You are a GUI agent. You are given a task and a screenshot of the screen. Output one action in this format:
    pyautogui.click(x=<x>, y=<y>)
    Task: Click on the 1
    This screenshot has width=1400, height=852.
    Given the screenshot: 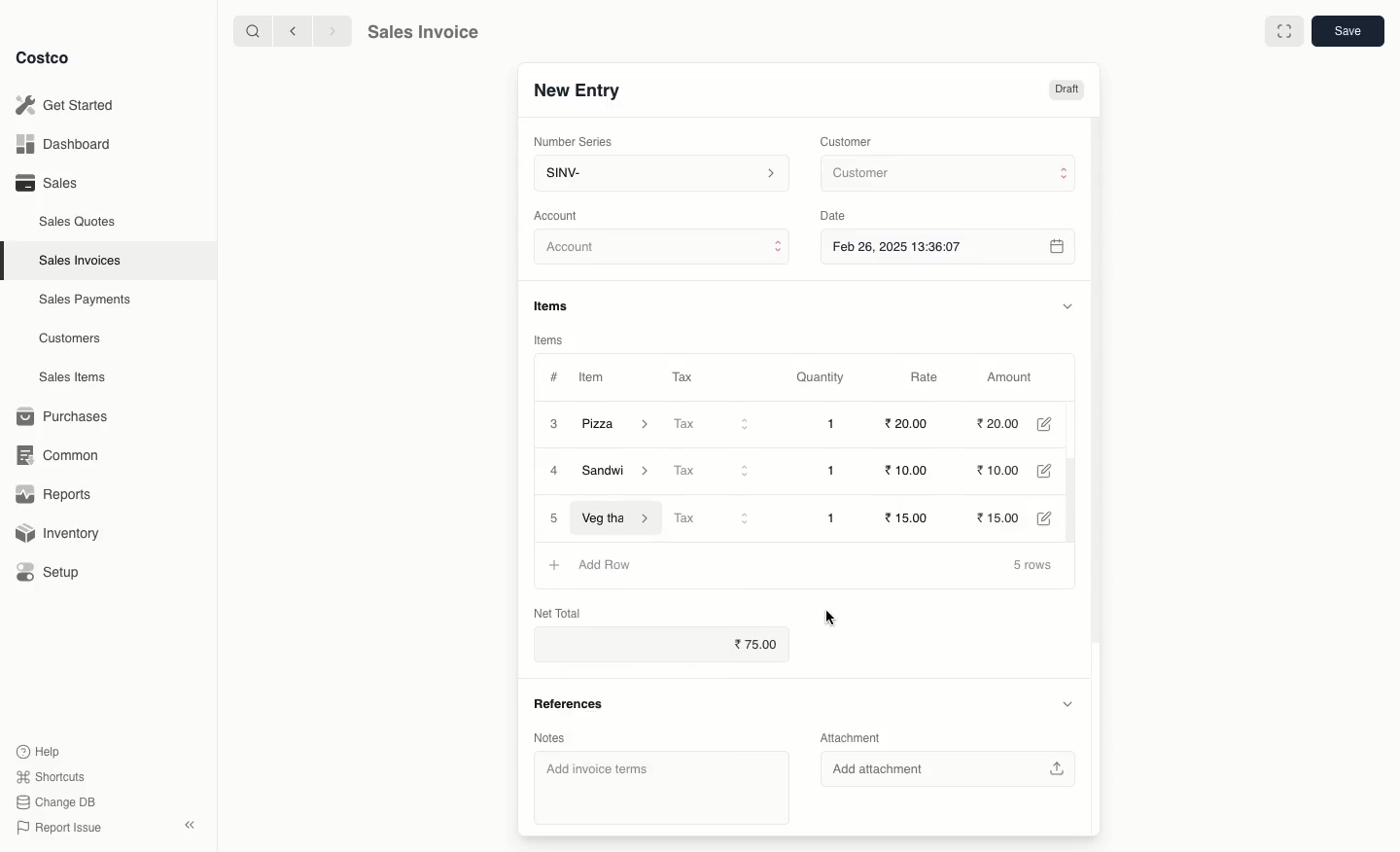 What is the action you would take?
    pyautogui.click(x=834, y=516)
    